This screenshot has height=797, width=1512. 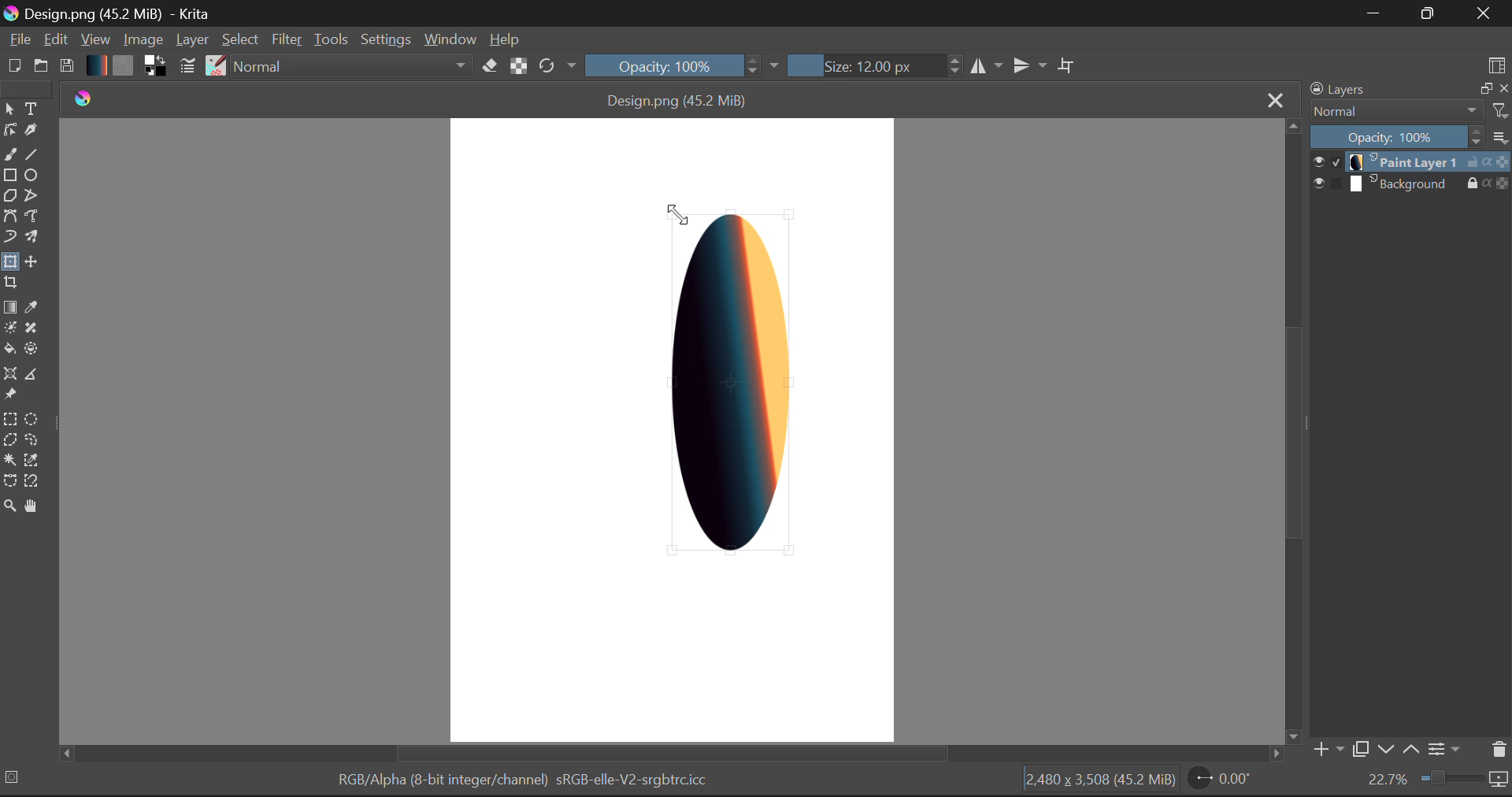 What do you see at coordinates (675, 754) in the screenshot?
I see `Scroll Bar` at bounding box center [675, 754].